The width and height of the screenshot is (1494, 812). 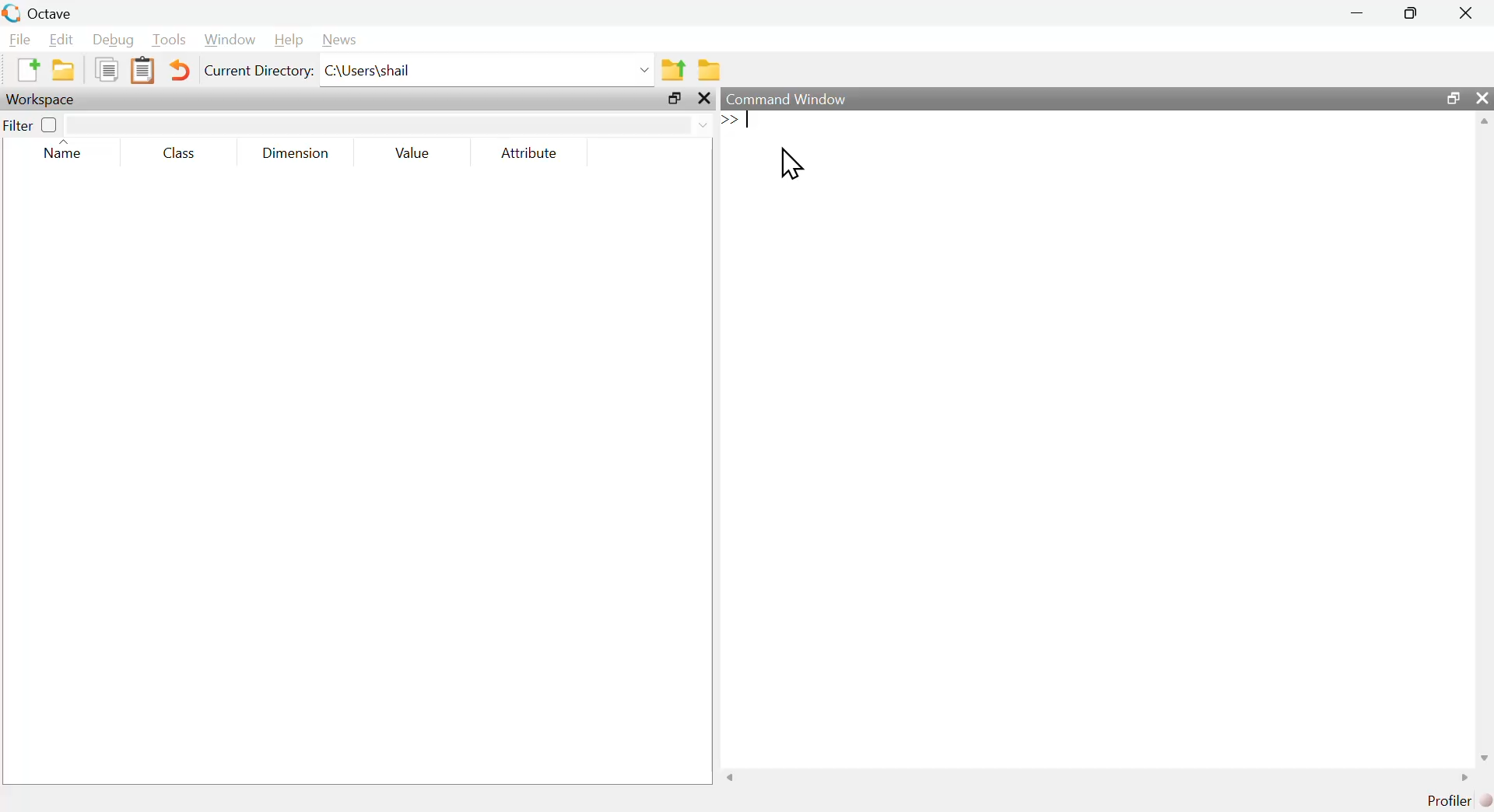 I want to click on scroll up, so click(x=1485, y=121).